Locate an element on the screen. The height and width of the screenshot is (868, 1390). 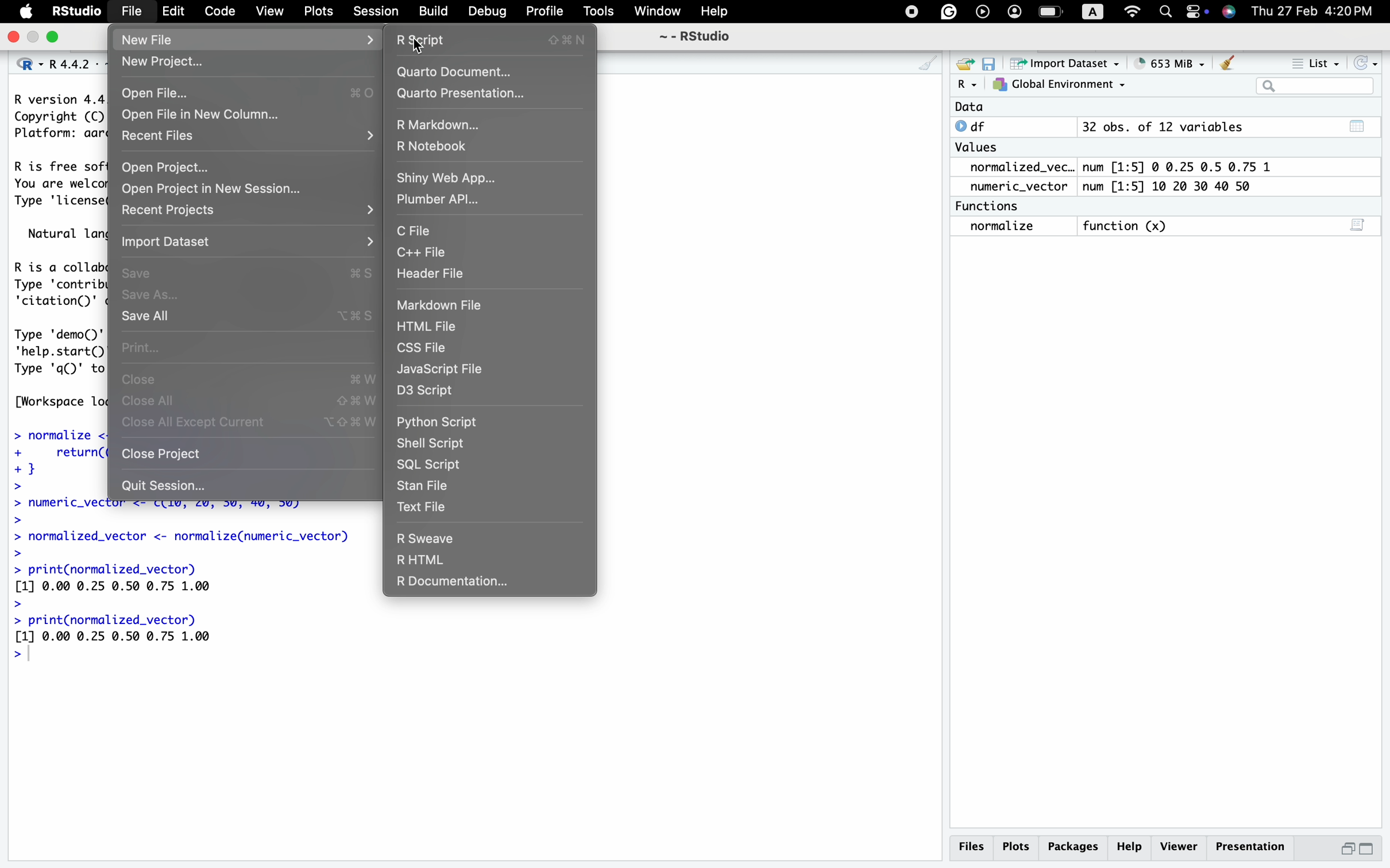
Plumber API is located at coordinates (437, 201).